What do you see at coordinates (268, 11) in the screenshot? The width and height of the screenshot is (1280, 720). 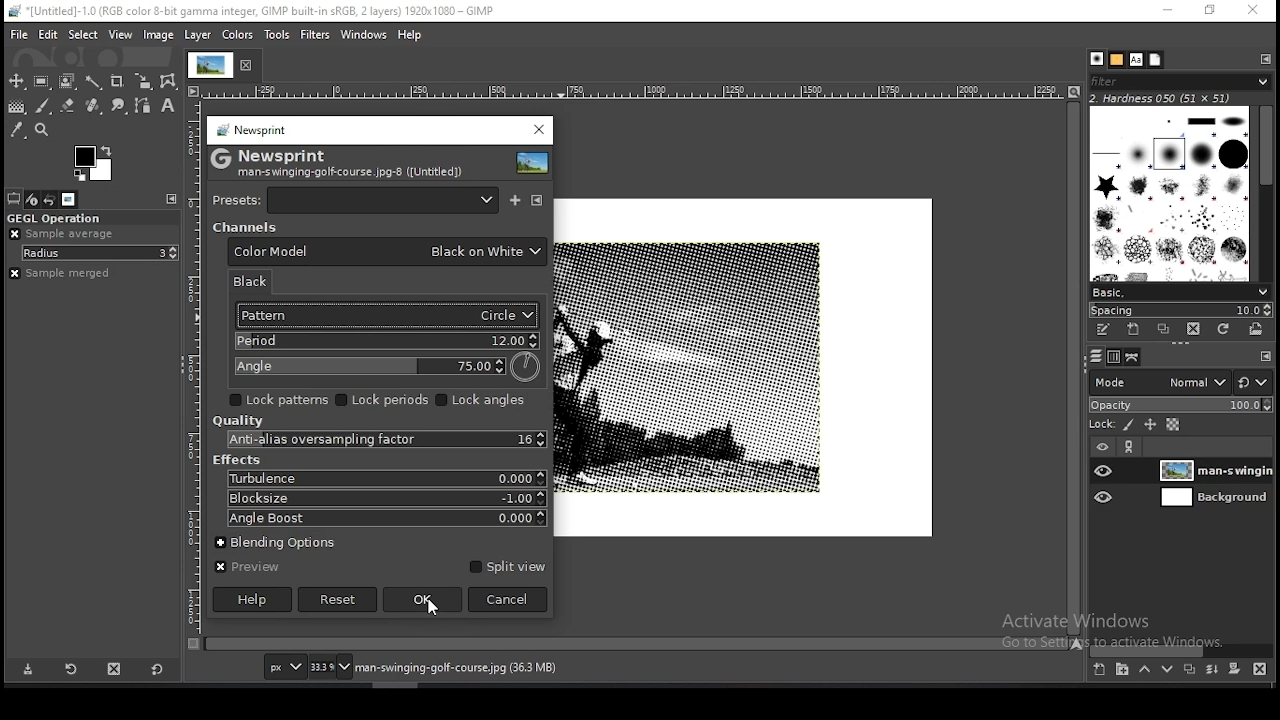 I see `*[Untitled]-1.0 (RGB color 8-bit gamma integer, GIMP built-in sRGB, 2 layers) 1920x1080 - GIMP` at bounding box center [268, 11].